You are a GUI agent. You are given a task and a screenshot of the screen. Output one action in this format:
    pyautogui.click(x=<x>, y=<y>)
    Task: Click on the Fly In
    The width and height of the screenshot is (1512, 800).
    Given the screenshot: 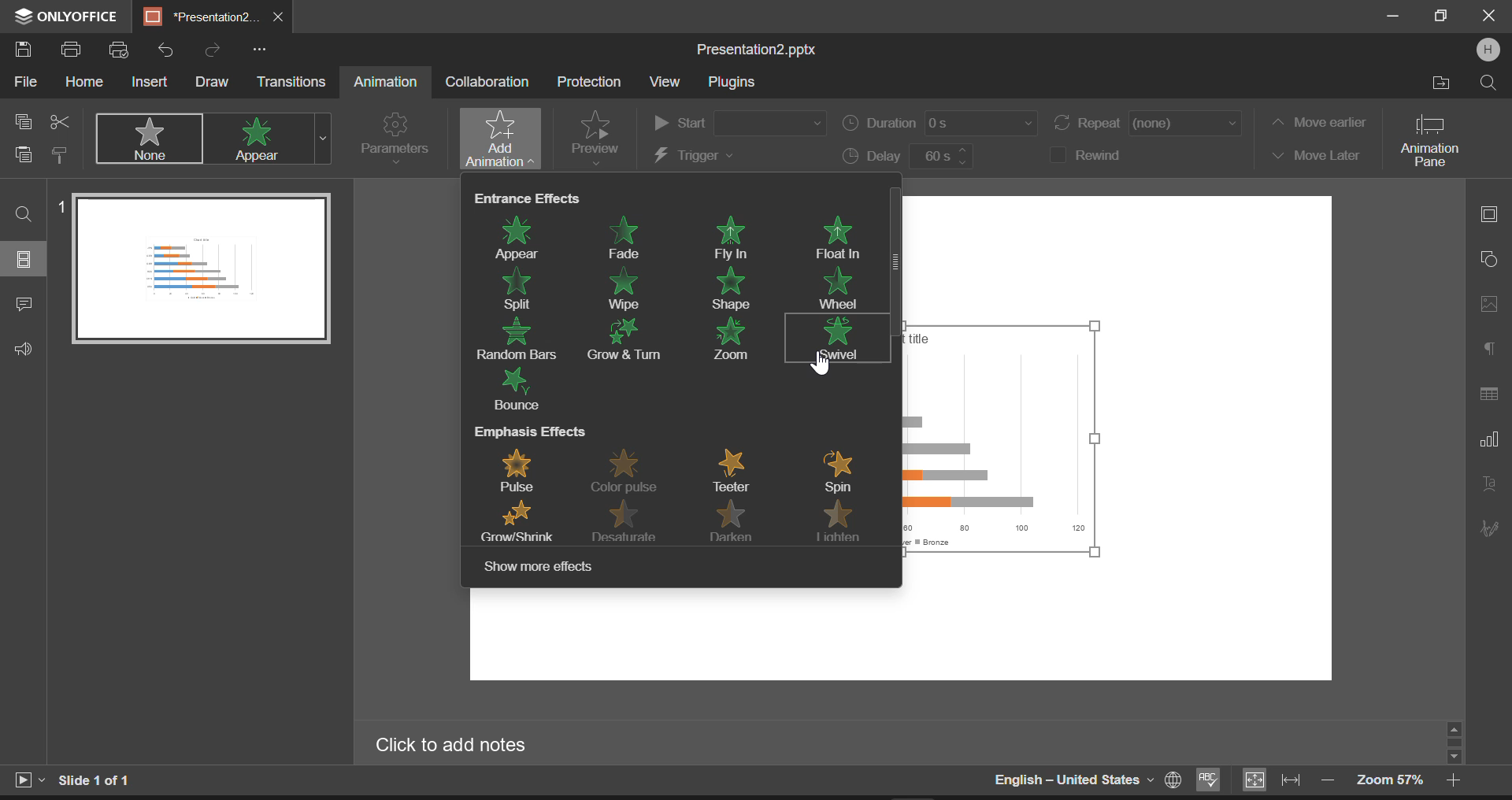 What is the action you would take?
    pyautogui.click(x=736, y=236)
    